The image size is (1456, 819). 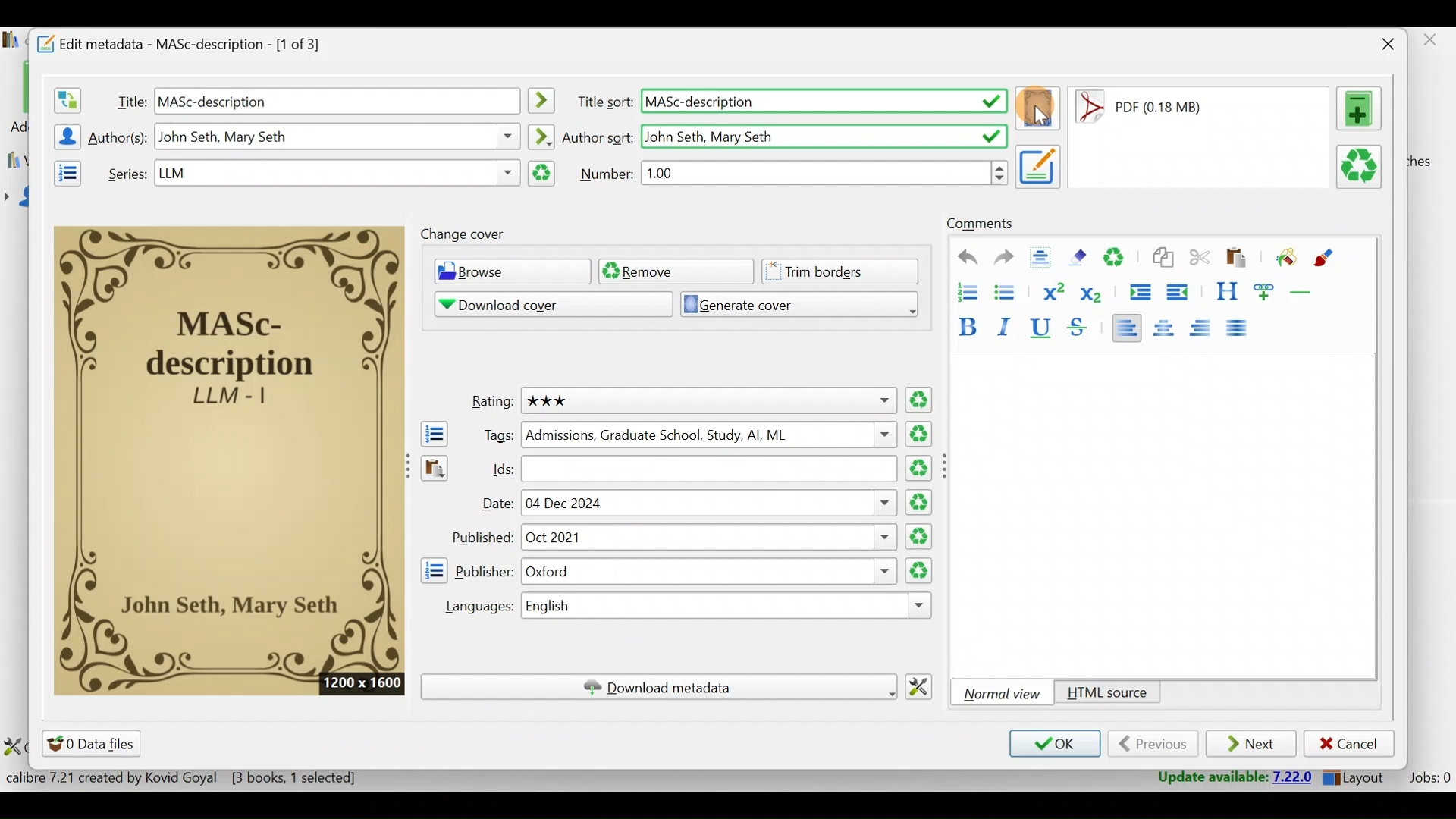 What do you see at coordinates (709, 435) in the screenshot?
I see `` at bounding box center [709, 435].